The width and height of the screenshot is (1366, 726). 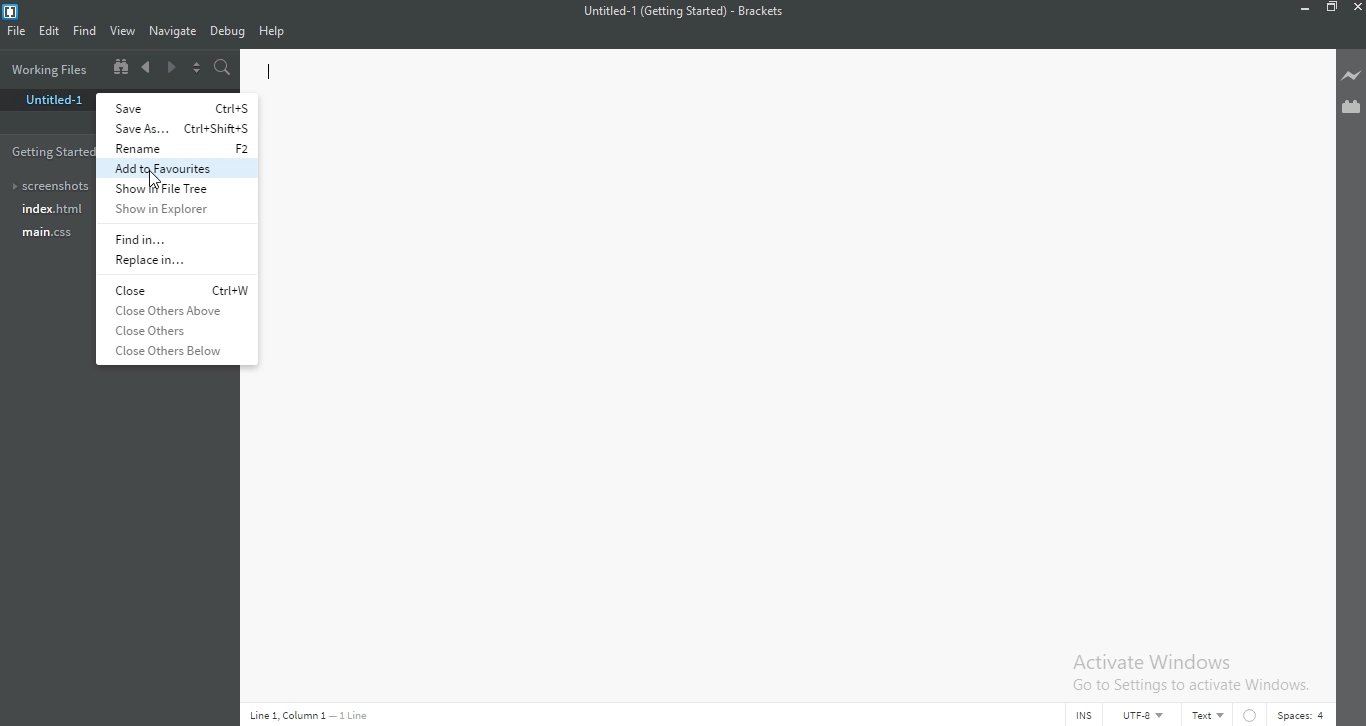 I want to click on Help, so click(x=275, y=33).